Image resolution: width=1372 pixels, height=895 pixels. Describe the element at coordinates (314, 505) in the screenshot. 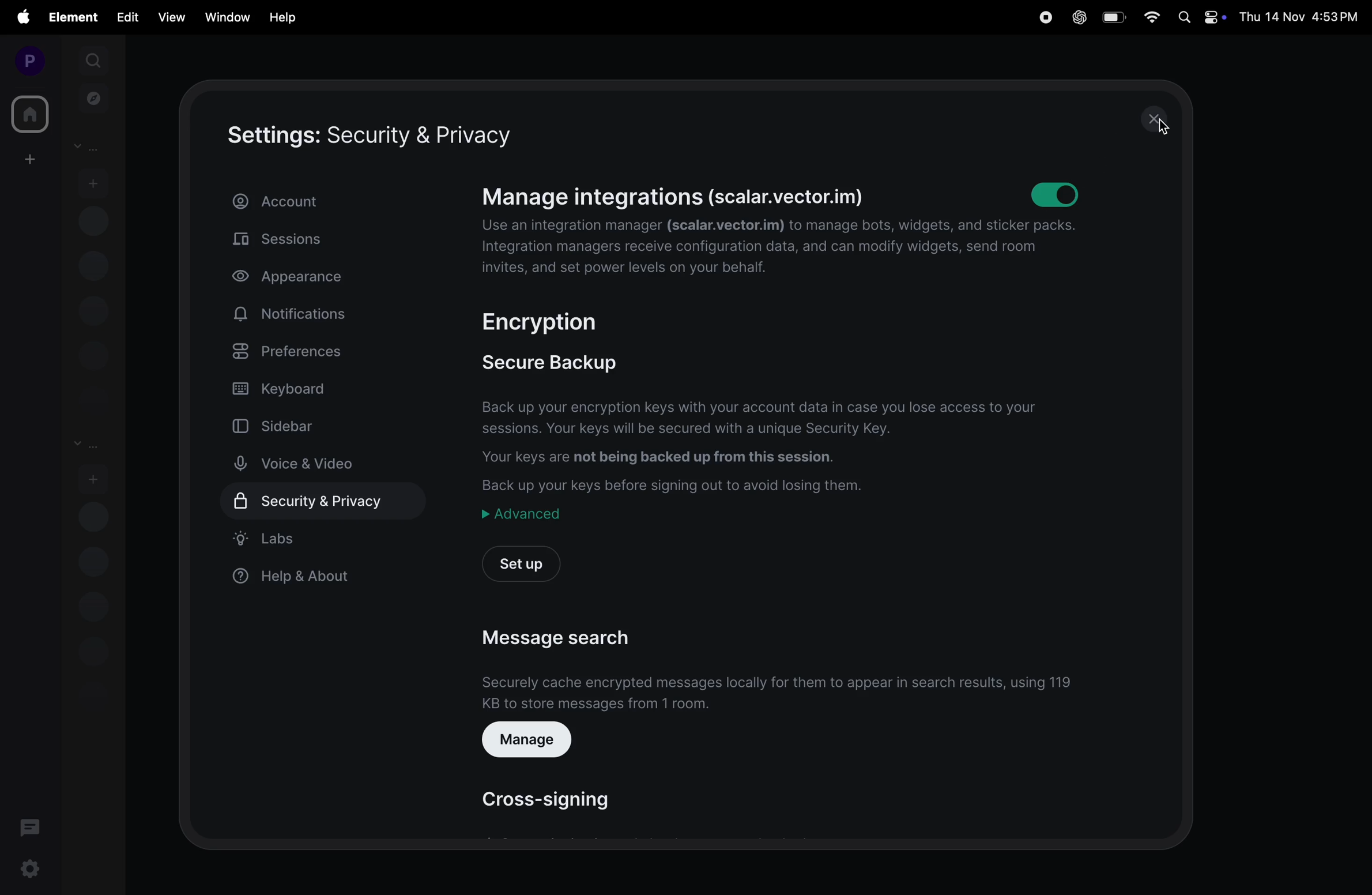

I see `security & privacy` at that location.